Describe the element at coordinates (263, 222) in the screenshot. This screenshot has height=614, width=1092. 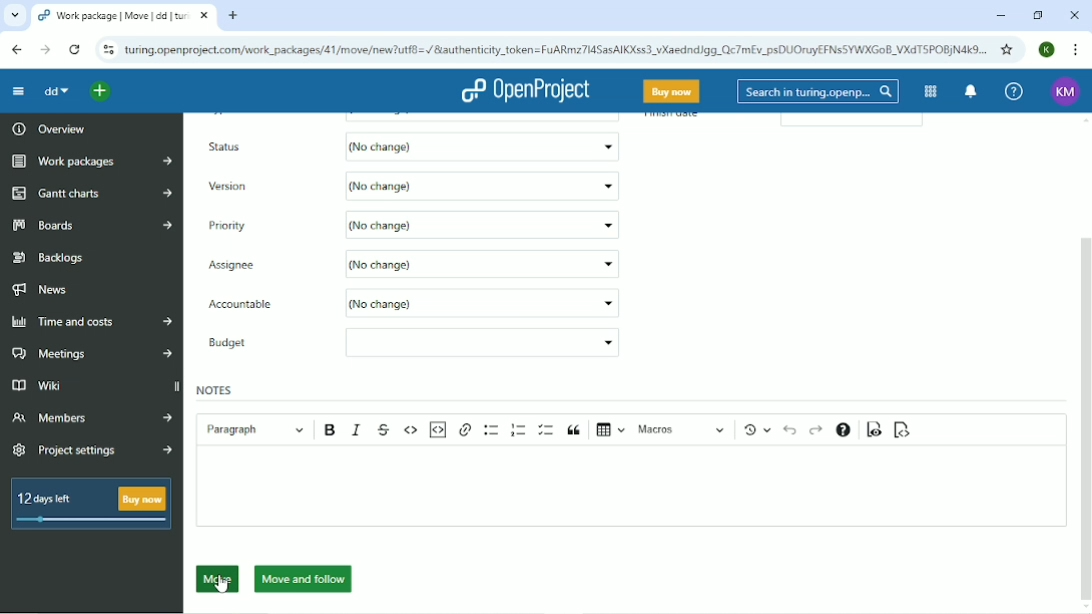
I see `Priority` at that location.